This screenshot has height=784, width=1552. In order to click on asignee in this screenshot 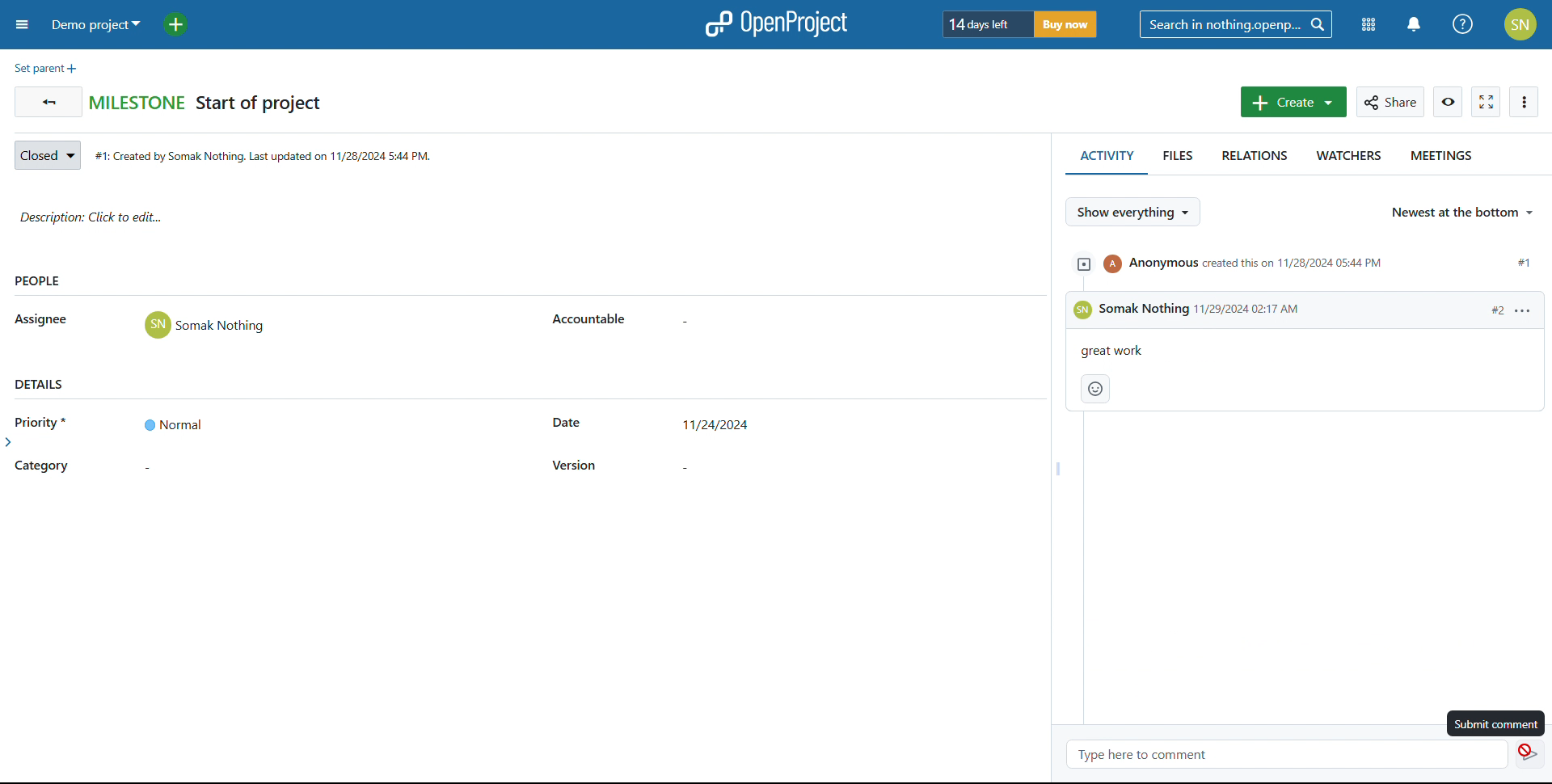, I will do `click(43, 320)`.